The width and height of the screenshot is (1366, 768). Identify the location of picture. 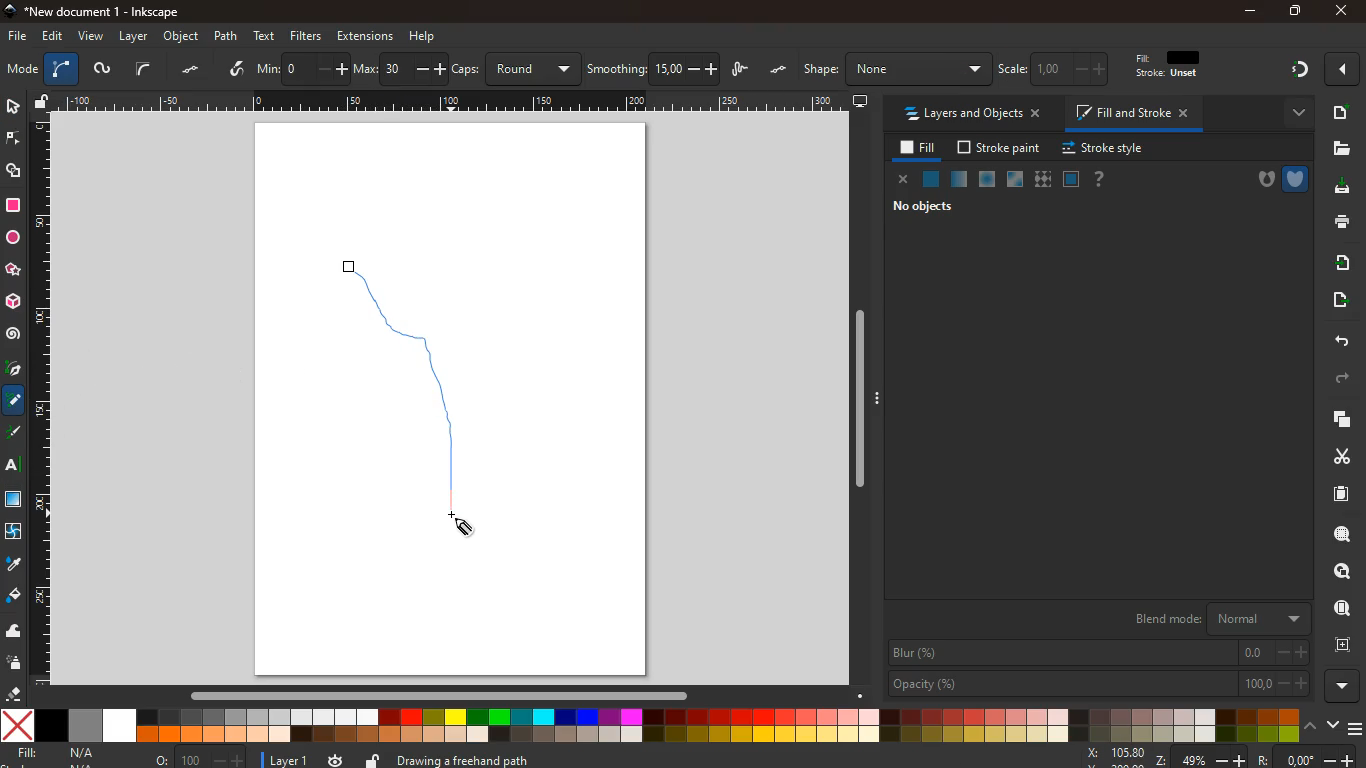
(102, 69).